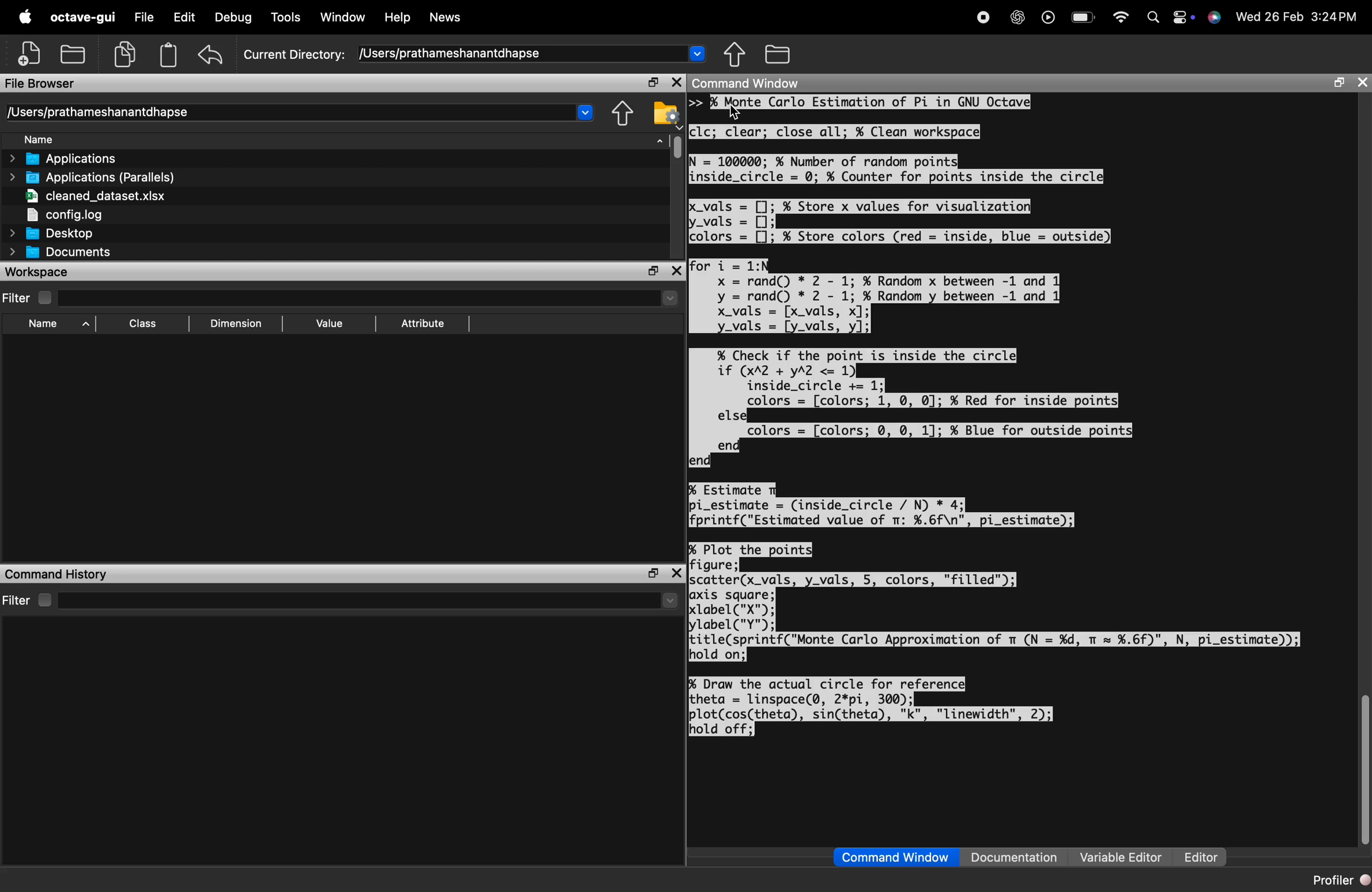 This screenshot has width=1372, height=892. Describe the element at coordinates (666, 112) in the screenshot. I see `Directory settings` at that location.